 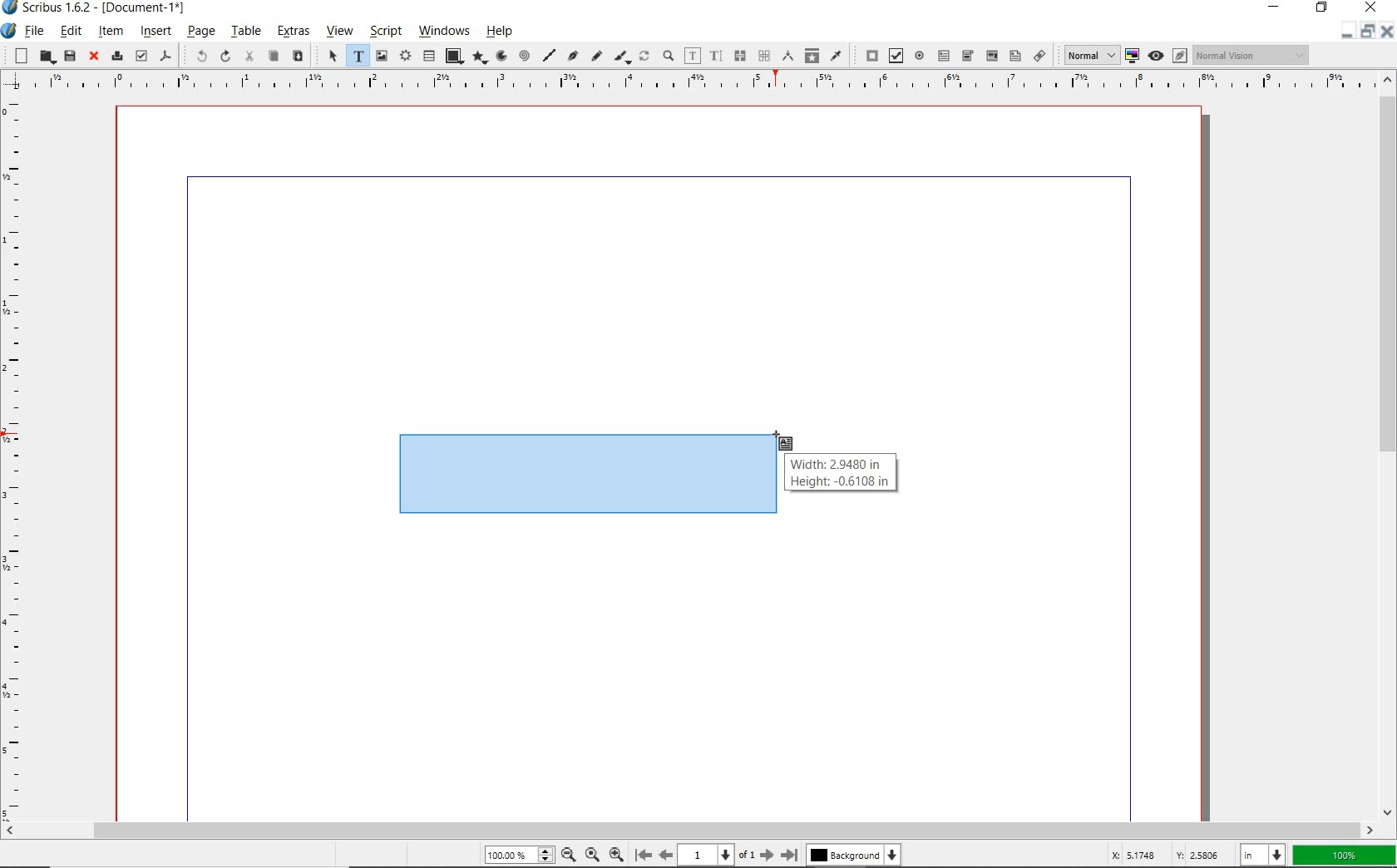 I want to click on spiral, so click(x=524, y=57).